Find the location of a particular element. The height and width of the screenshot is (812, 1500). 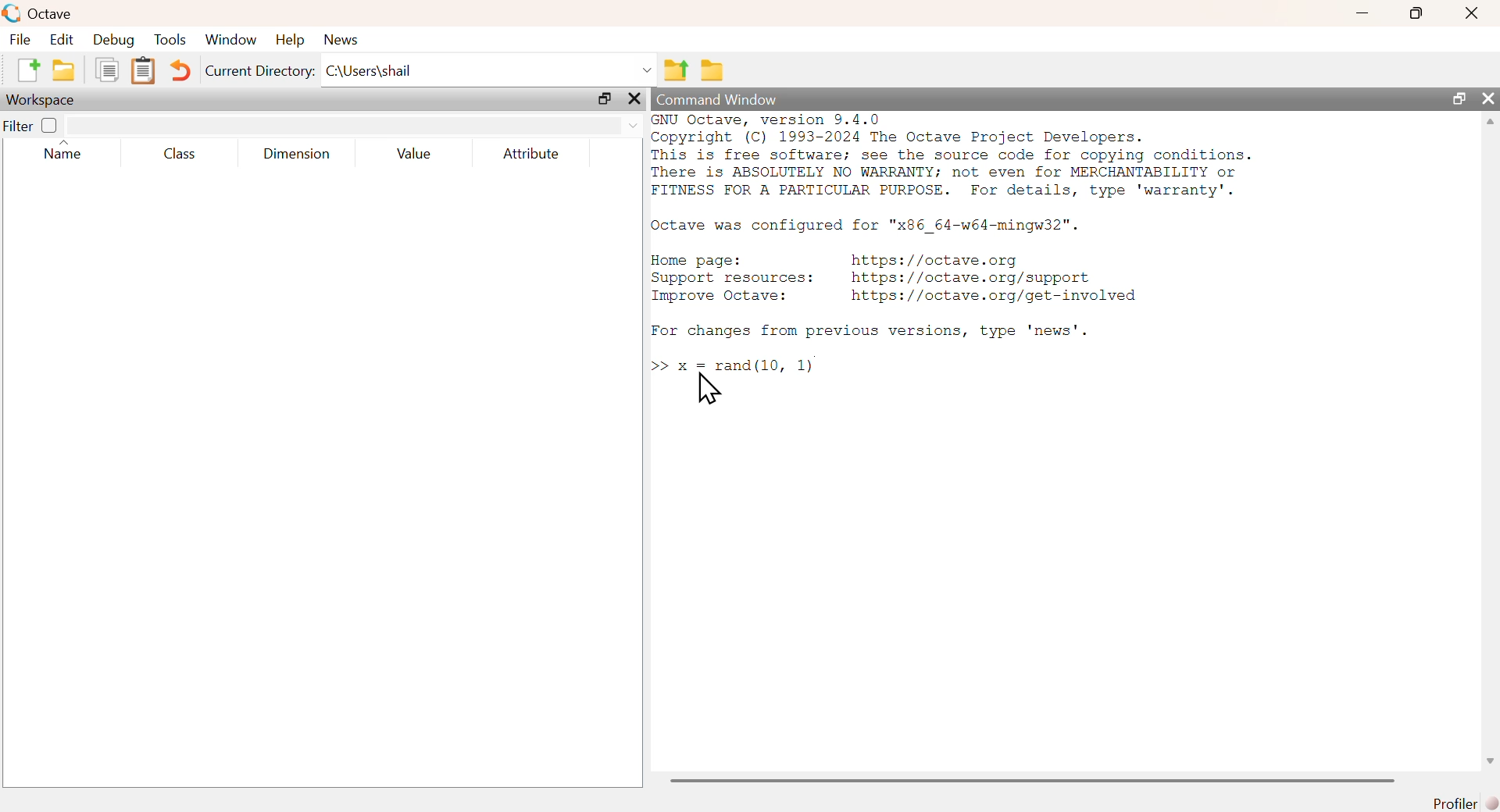

minimize is located at coordinates (1361, 14).